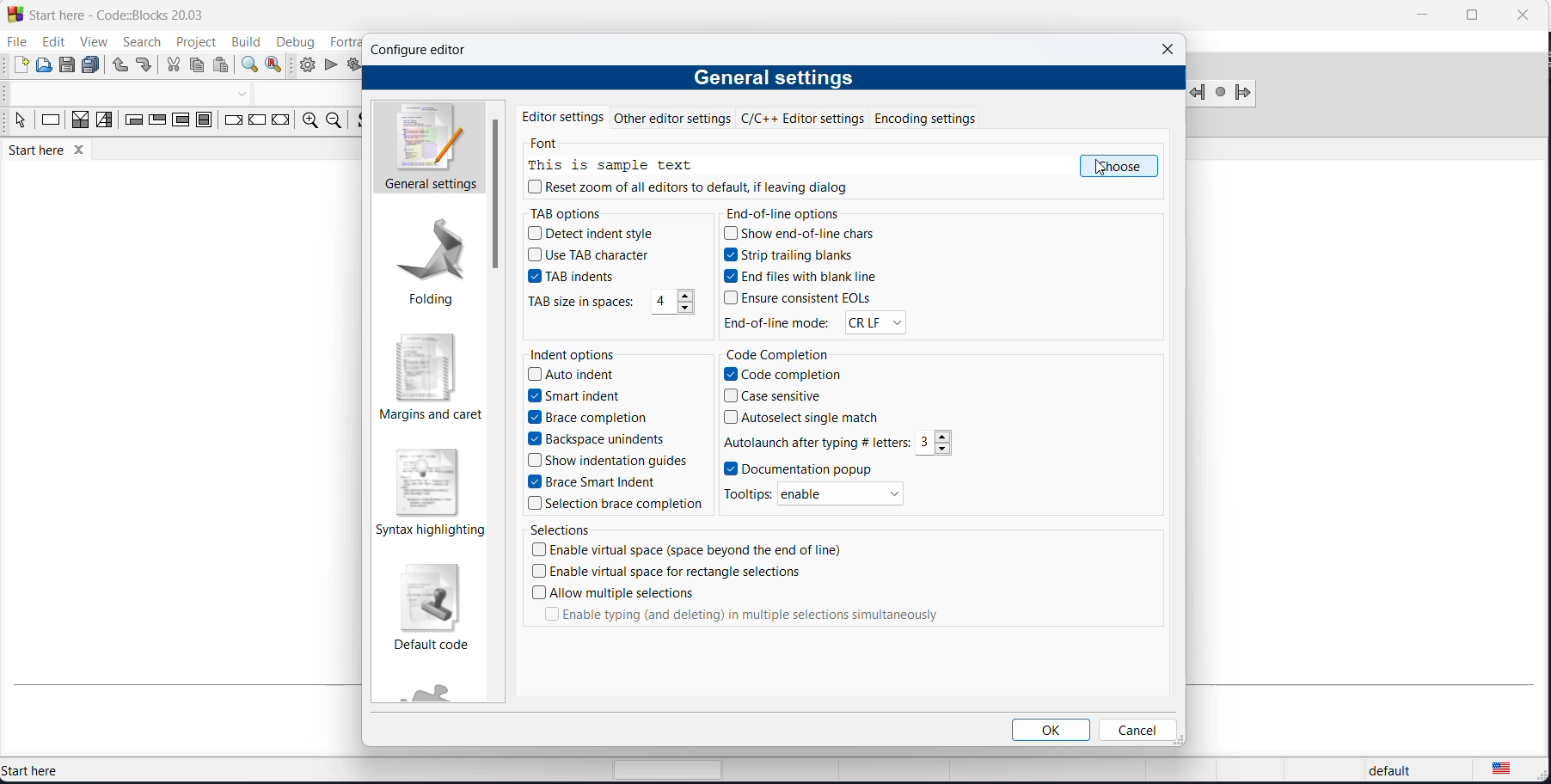  What do you see at coordinates (685, 311) in the screenshot?
I see `decrement` at bounding box center [685, 311].